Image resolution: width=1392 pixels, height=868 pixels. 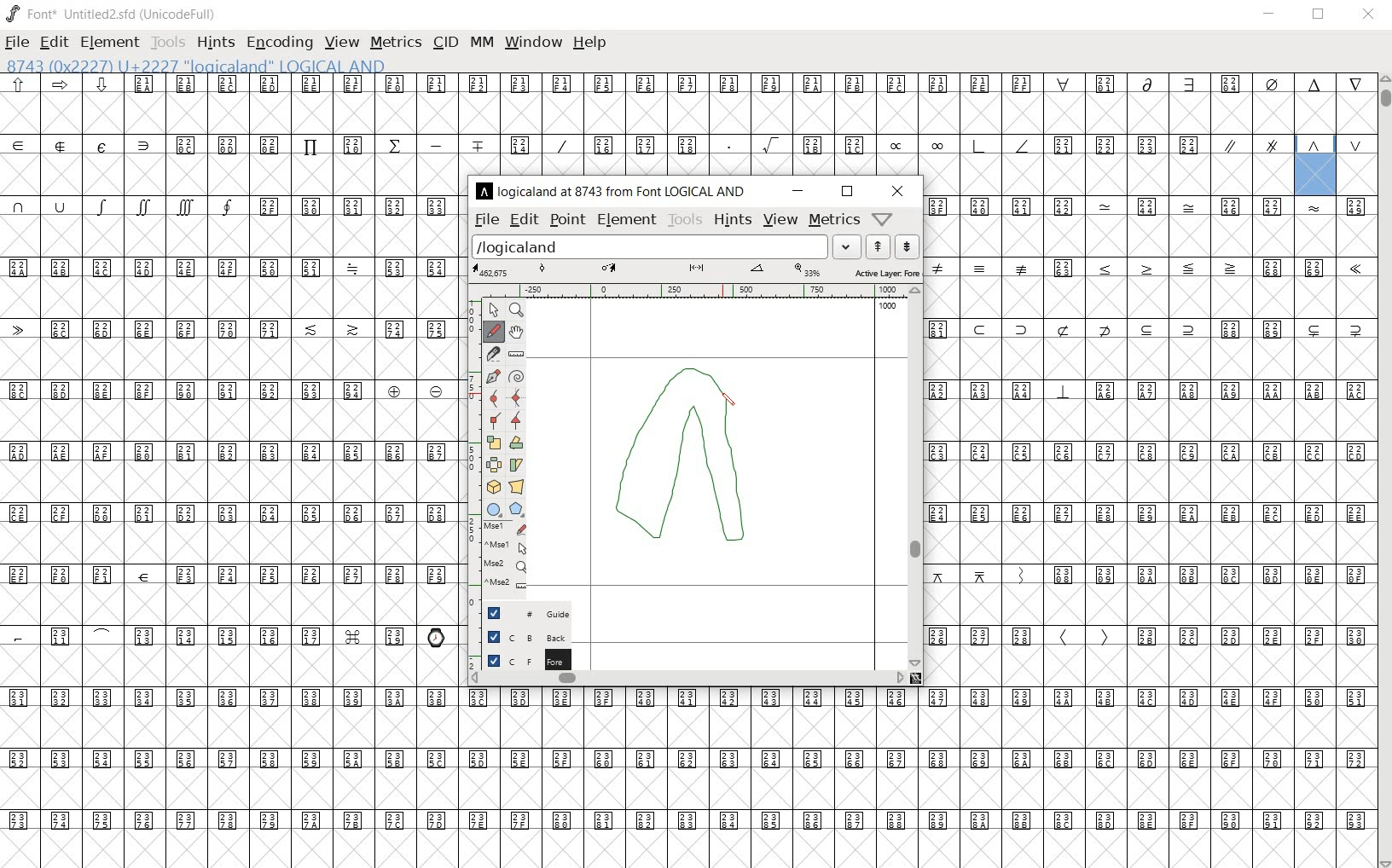 I want to click on polygon or star, so click(x=517, y=510).